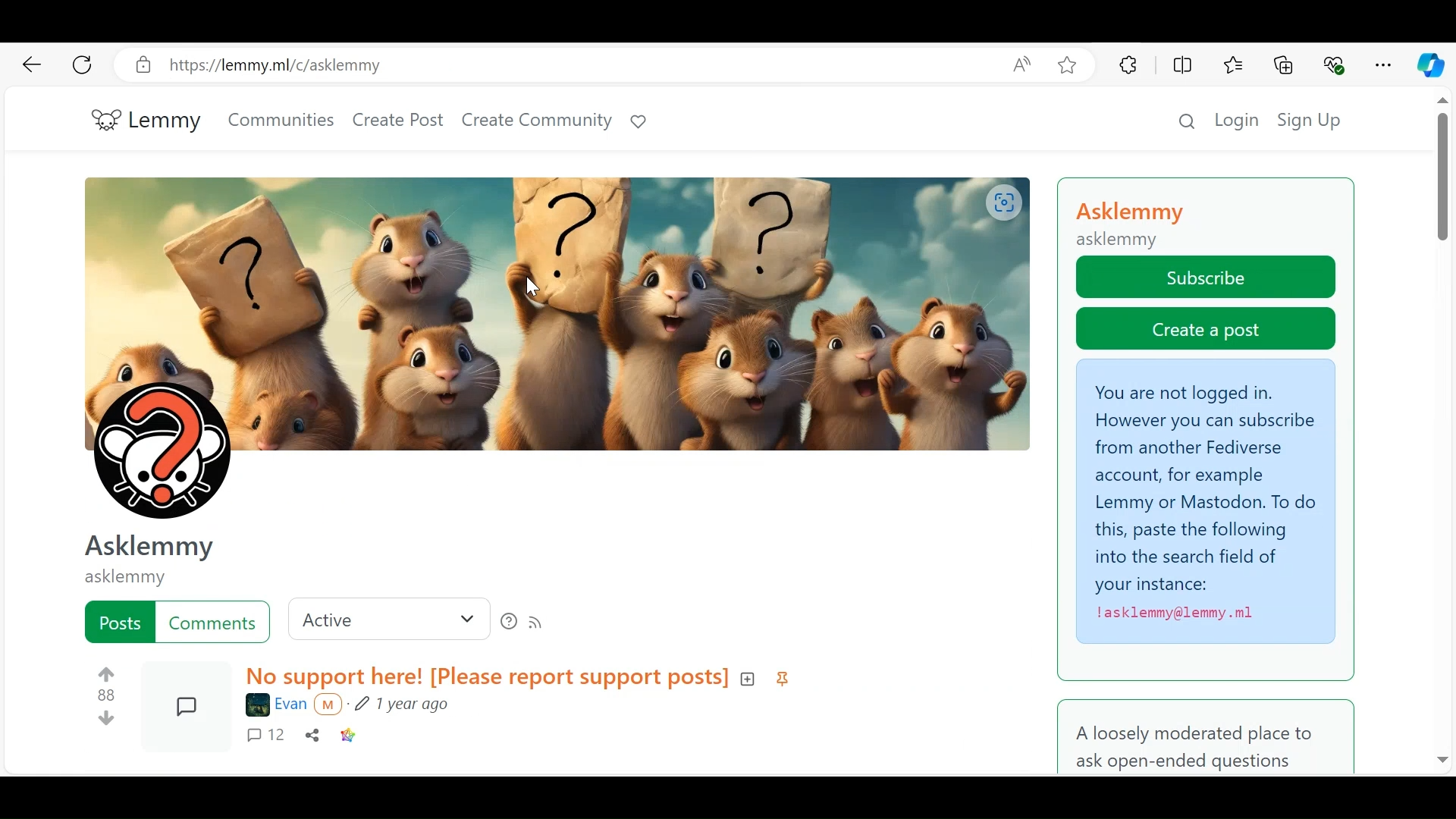  What do you see at coordinates (313, 737) in the screenshot?
I see `Share` at bounding box center [313, 737].